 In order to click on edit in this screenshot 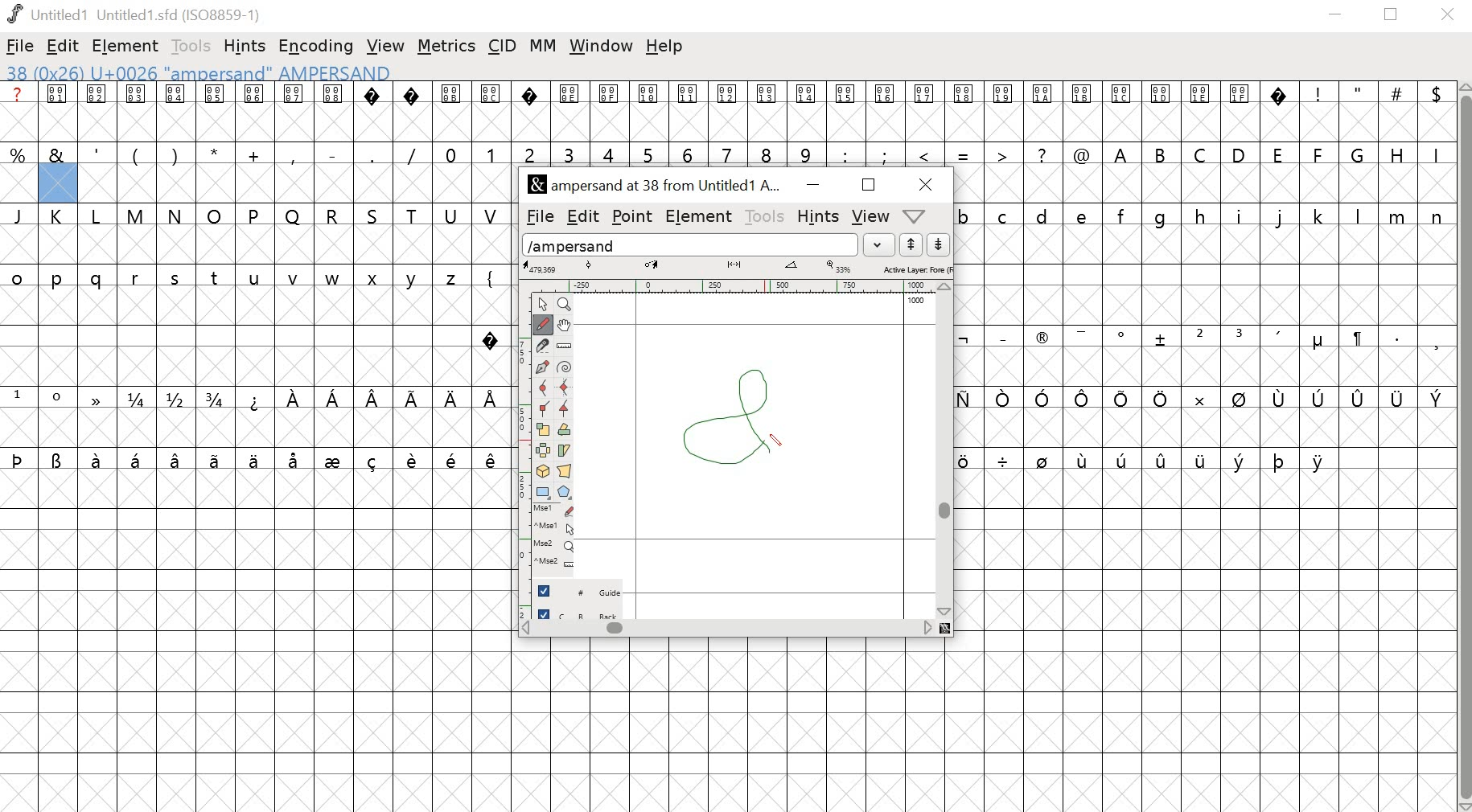, I will do `click(64, 47)`.